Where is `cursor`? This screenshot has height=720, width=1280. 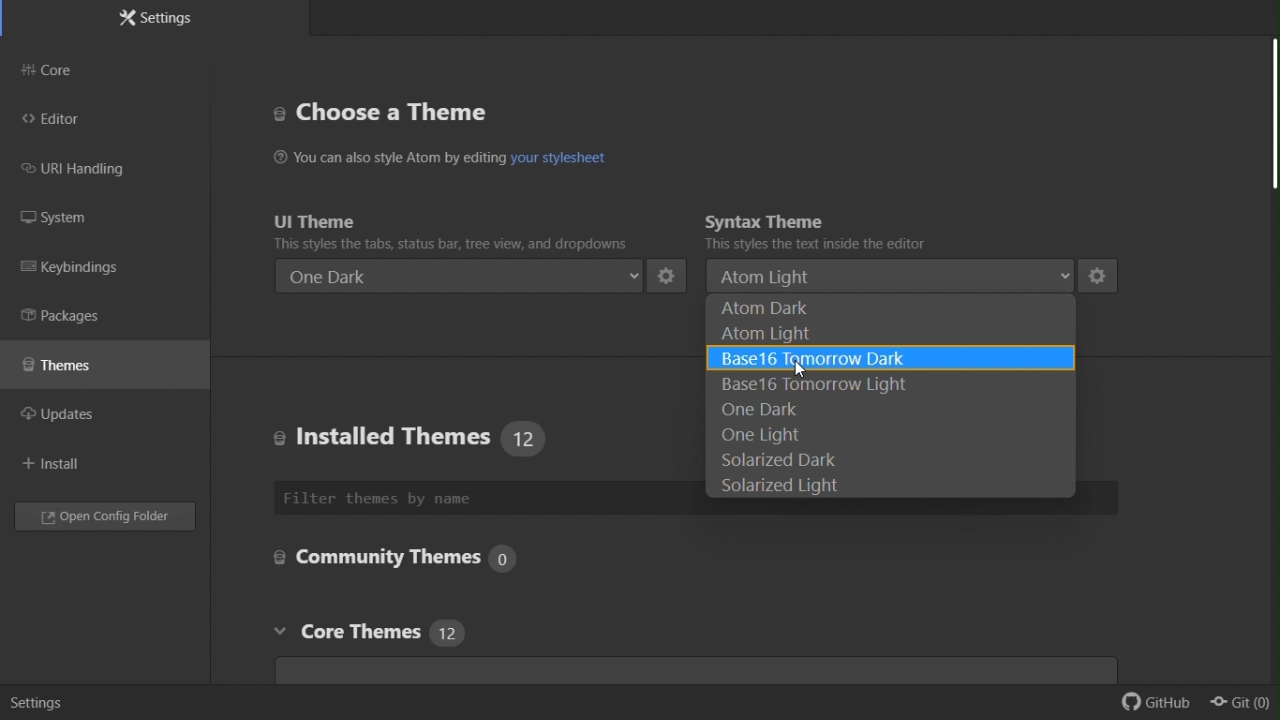
cursor is located at coordinates (803, 366).